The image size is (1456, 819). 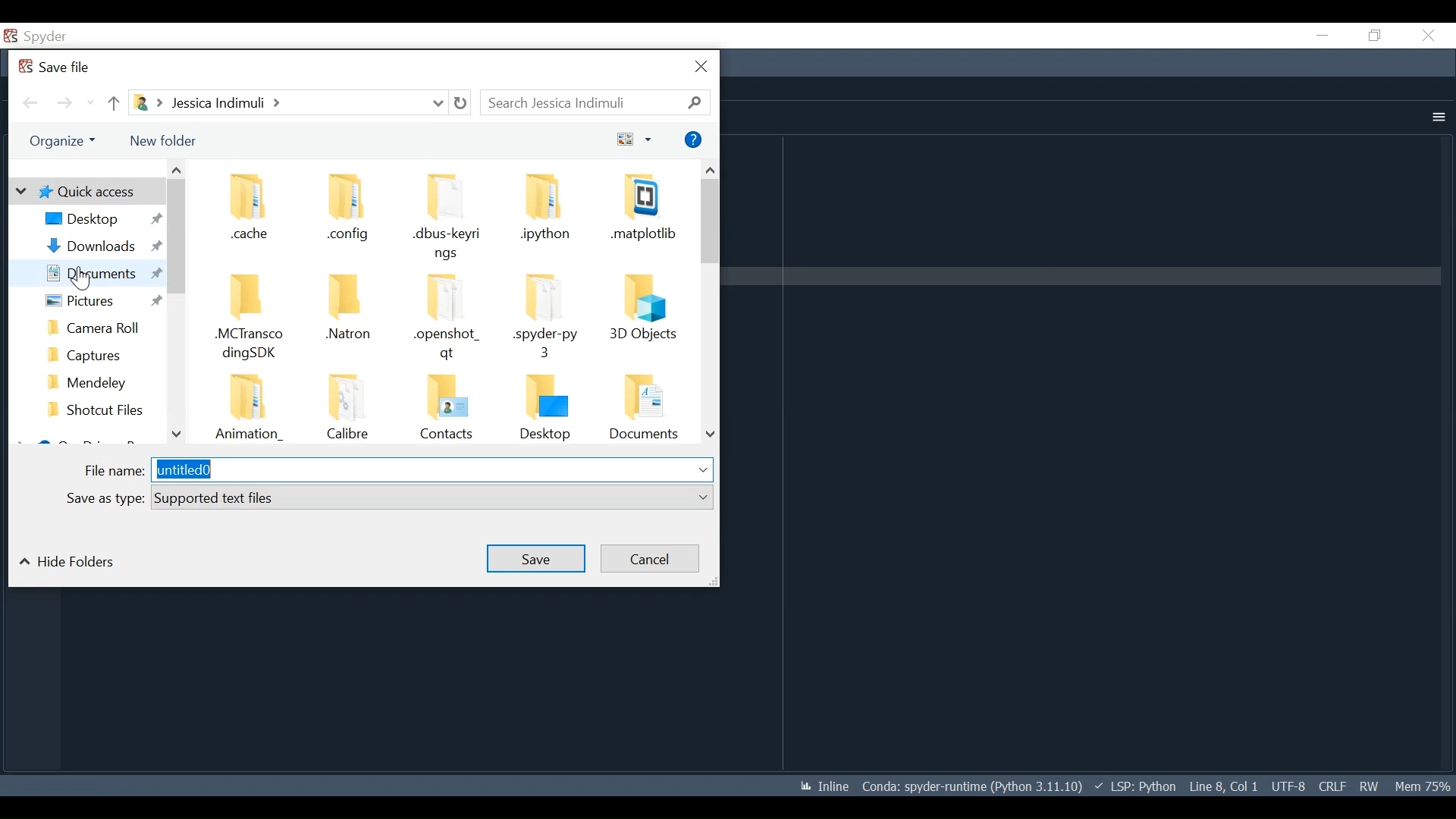 What do you see at coordinates (1289, 786) in the screenshot?
I see `File Encoding` at bounding box center [1289, 786].